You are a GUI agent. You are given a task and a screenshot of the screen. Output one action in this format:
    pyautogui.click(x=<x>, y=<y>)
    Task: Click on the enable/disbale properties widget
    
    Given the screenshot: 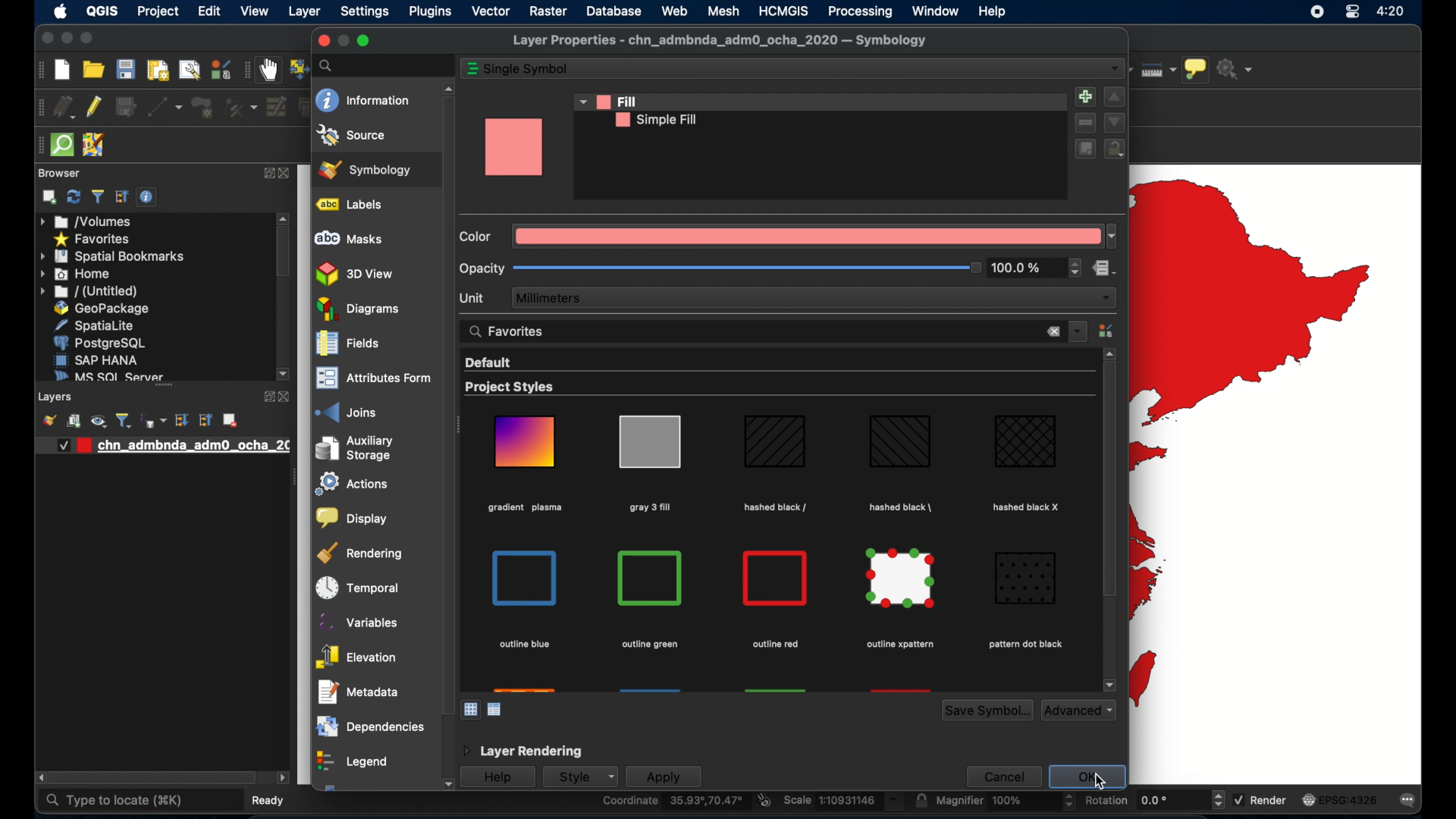 What is the action you would take?
    pyautogui.click(x=149, y=197)
    